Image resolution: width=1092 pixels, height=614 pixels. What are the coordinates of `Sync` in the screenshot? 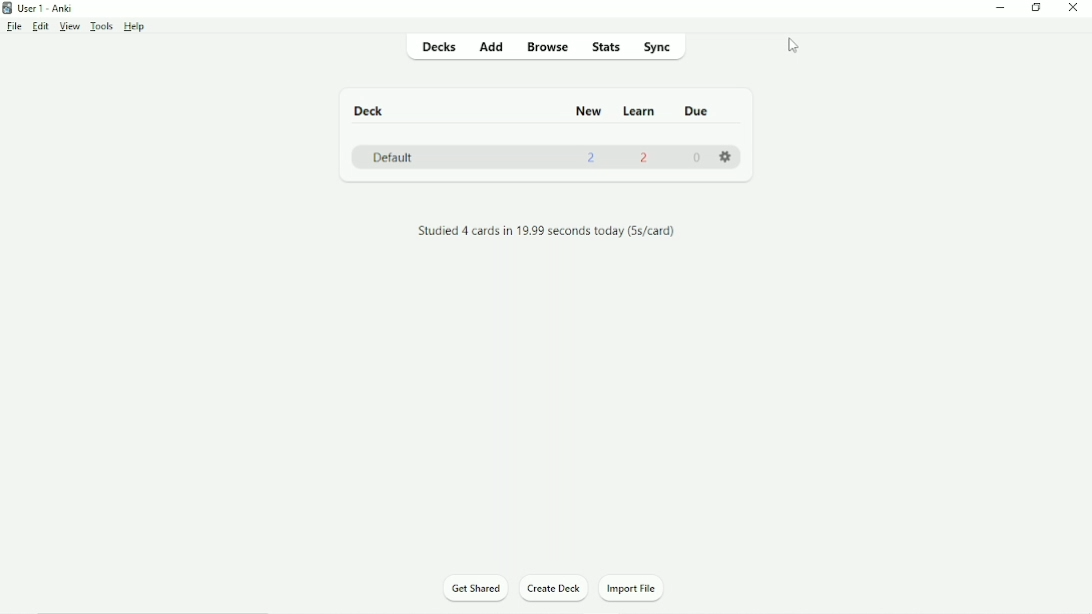 It's located at (661, 47).